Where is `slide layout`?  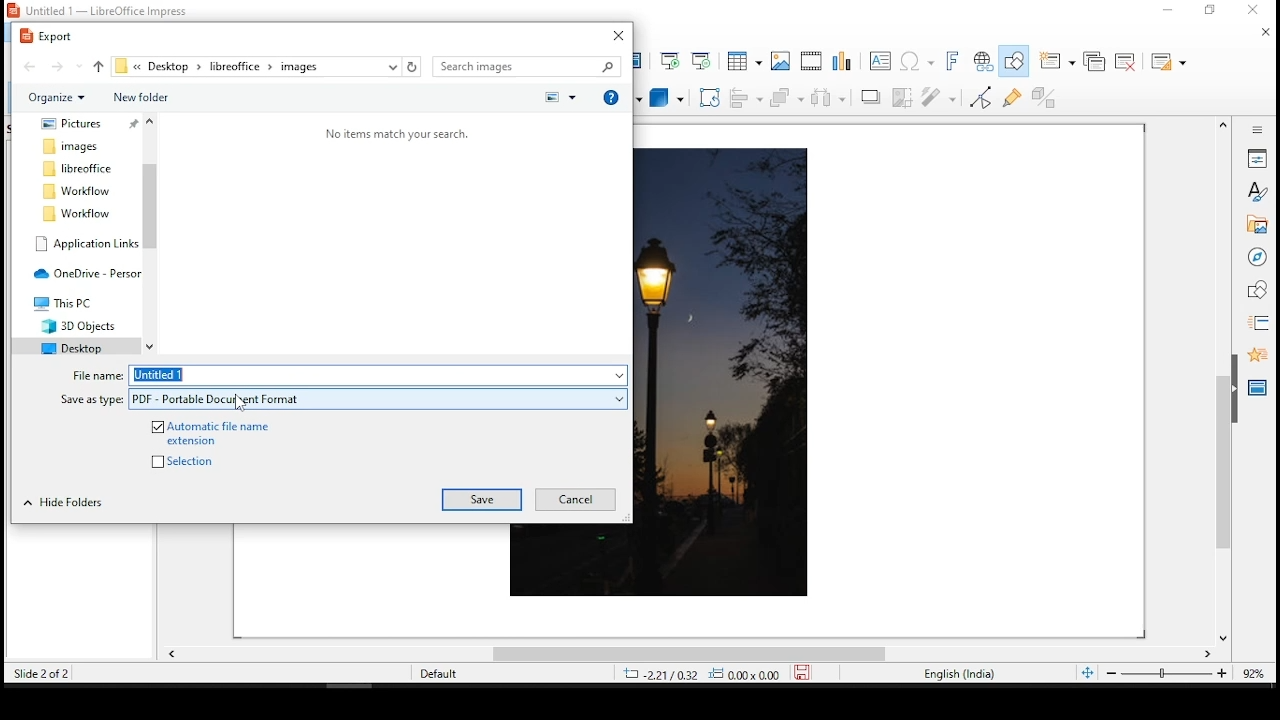
slide layout is located at coordinates (1169, 61).